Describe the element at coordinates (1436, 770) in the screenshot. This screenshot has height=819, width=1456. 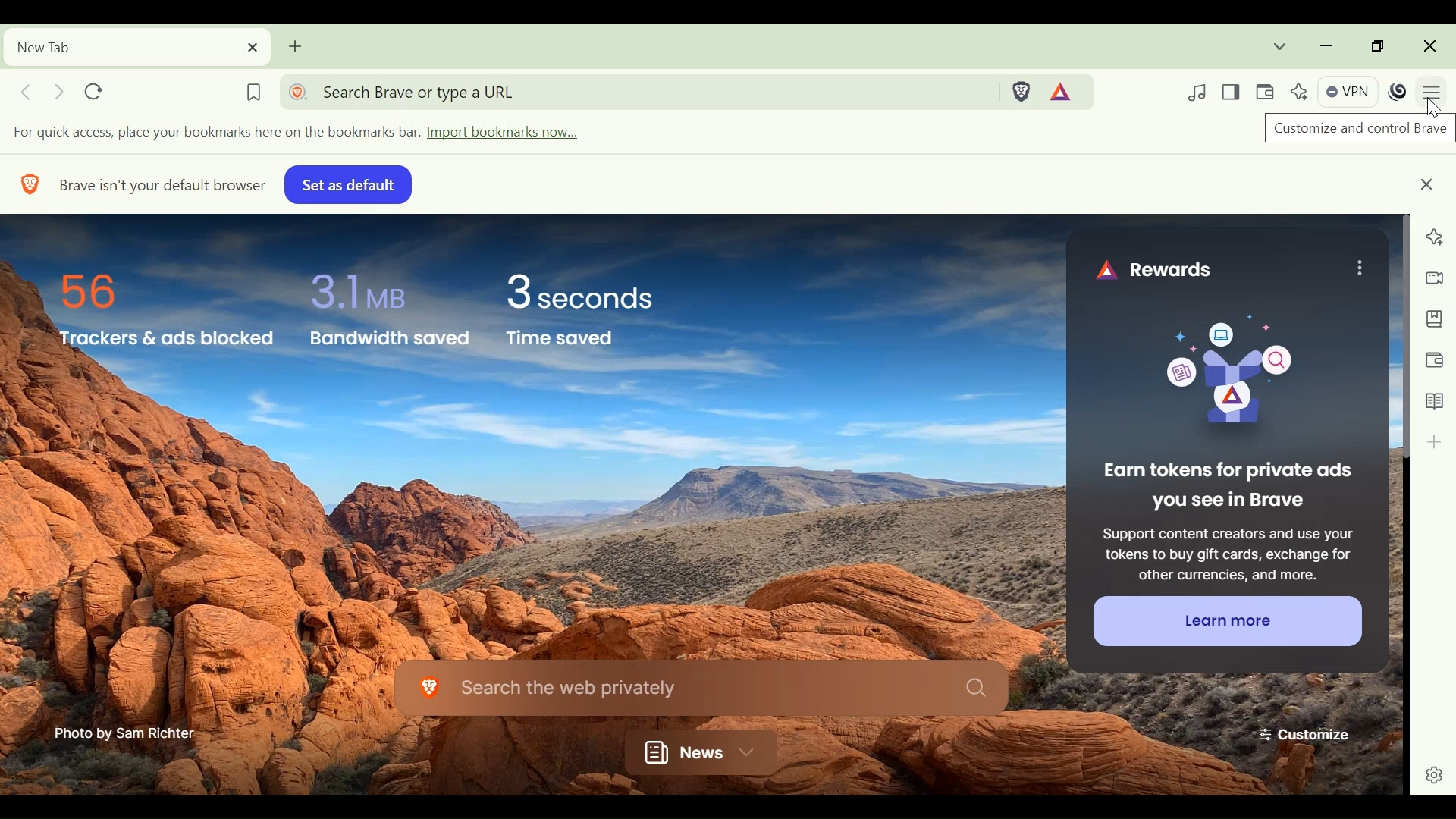
I see `settings` at that location.